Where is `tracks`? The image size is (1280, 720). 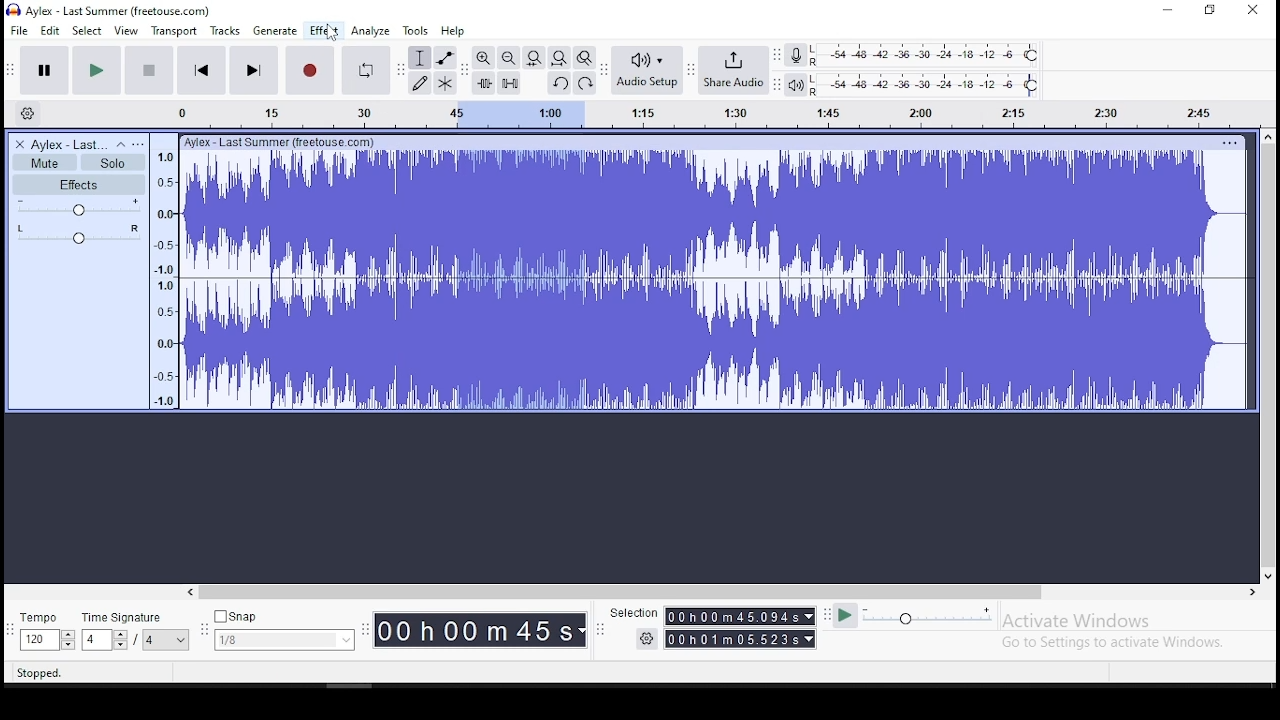 tracks is located at coordinates (225, 31).